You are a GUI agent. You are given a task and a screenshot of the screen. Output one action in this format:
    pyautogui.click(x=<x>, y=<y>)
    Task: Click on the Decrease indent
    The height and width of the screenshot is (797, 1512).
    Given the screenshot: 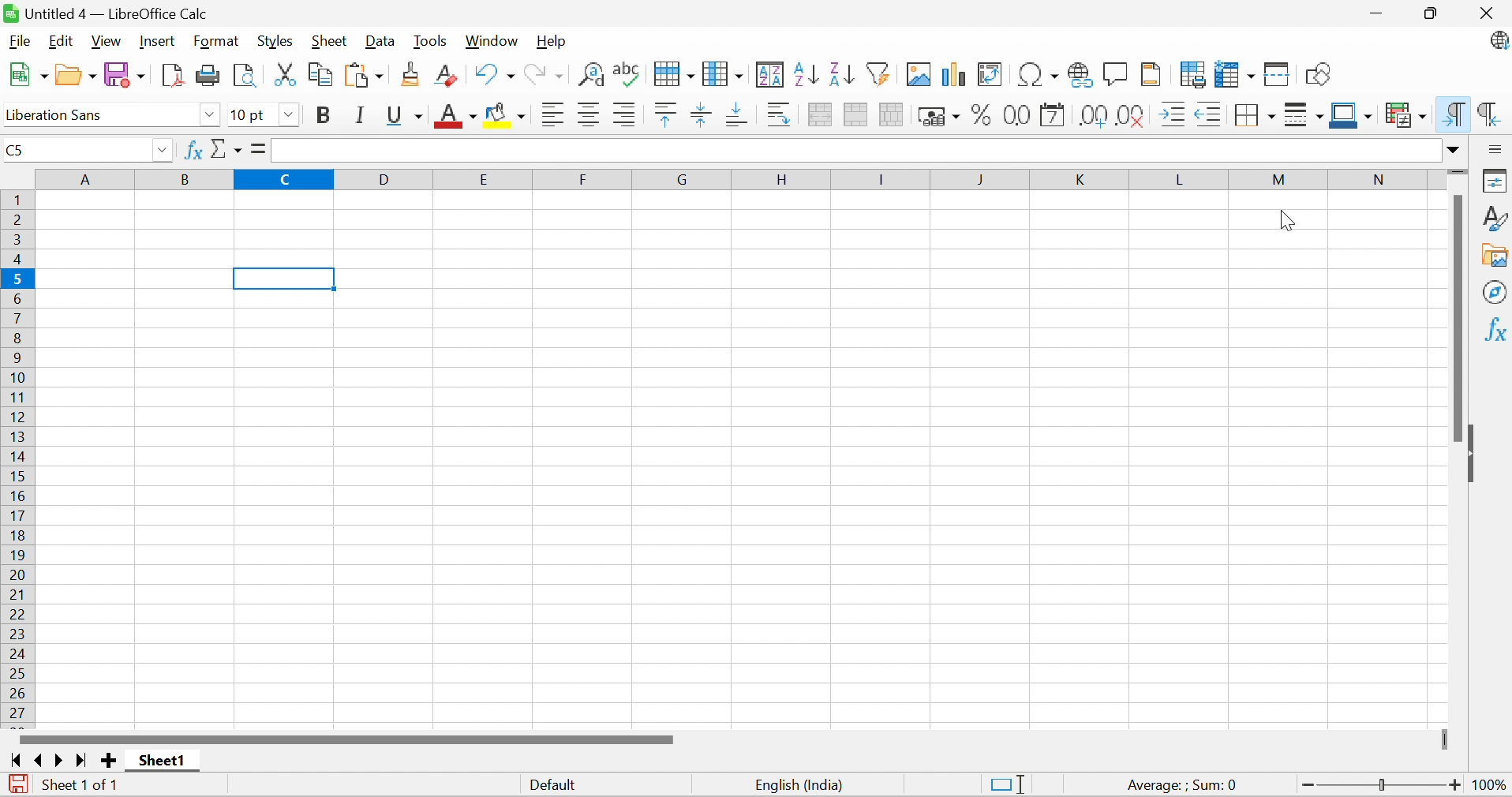 What is the action you would take?
    pyautogui.click(x=1207, y=117)
    